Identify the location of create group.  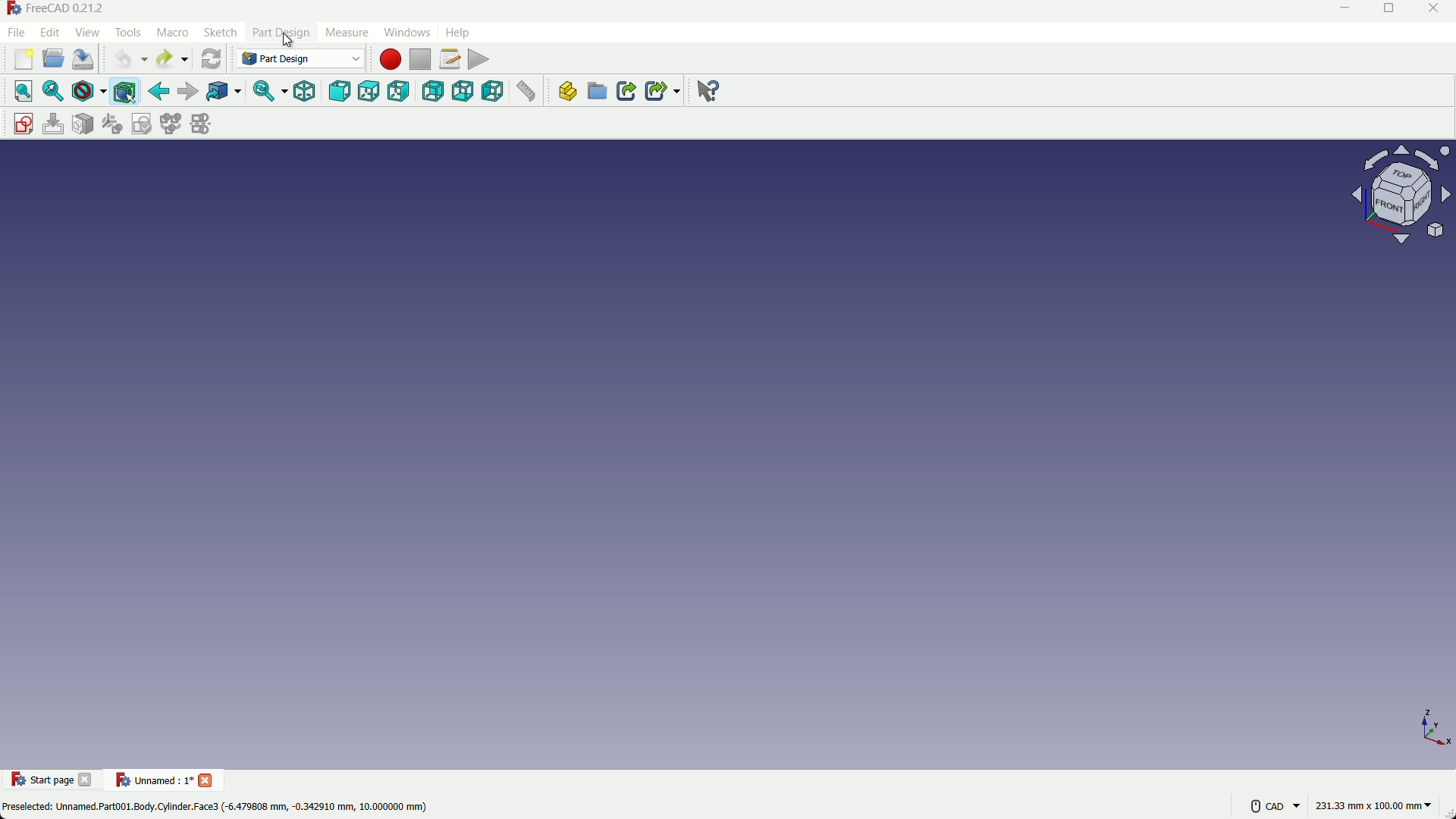
(596, 93).